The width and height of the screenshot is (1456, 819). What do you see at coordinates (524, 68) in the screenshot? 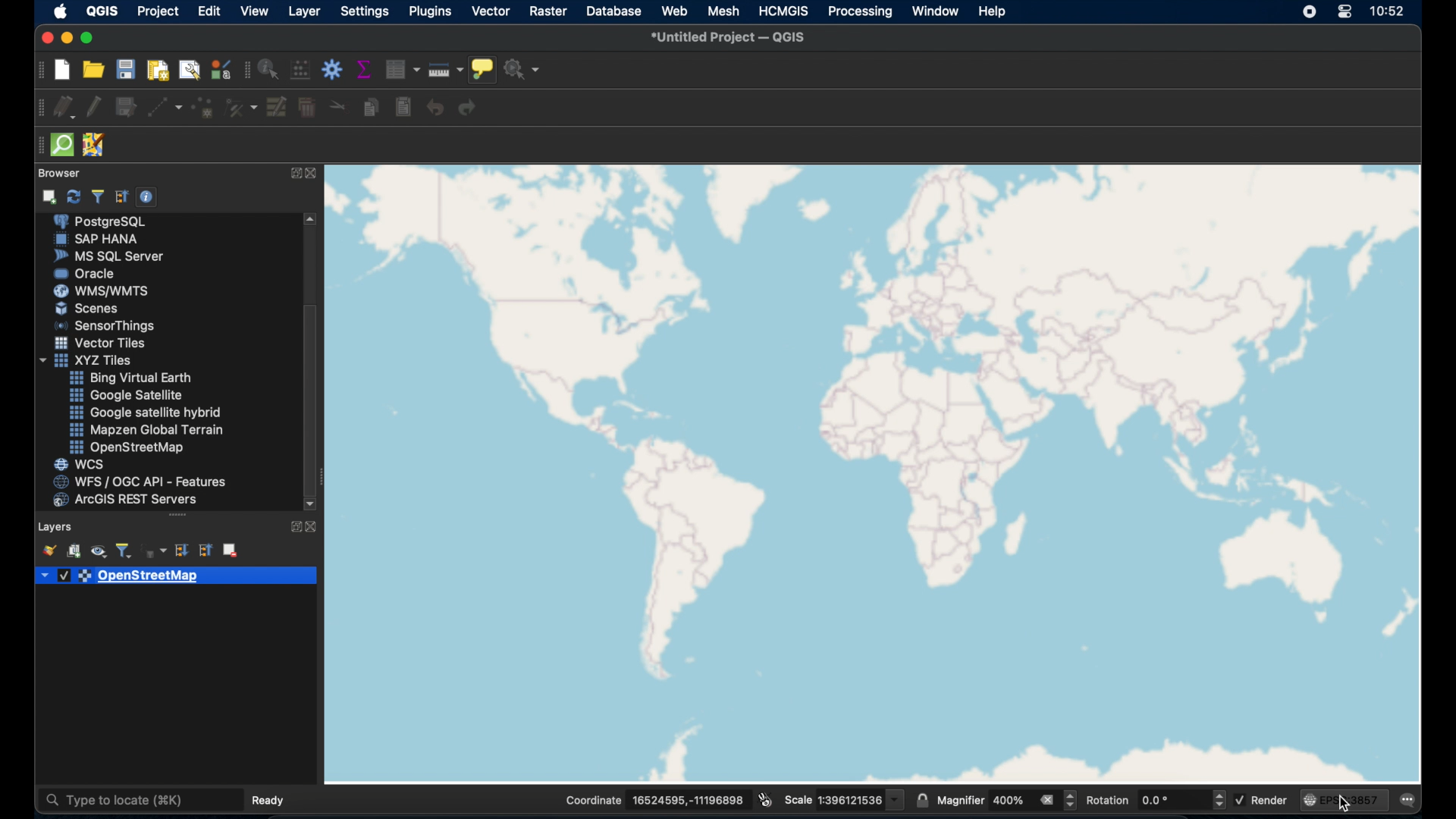
I see `no action selected` at bounding box center [524, 68].